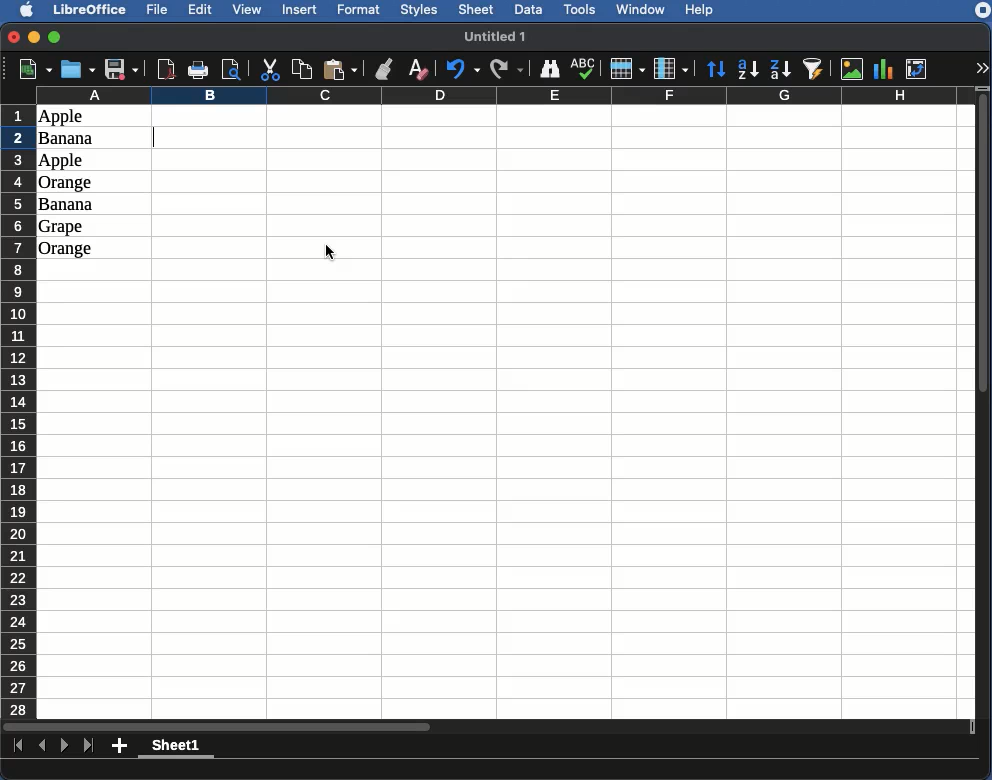 This screenshot has width=992, height=780. Describe the element at coordinates (90, 746) in the screenshot. I see `Last sheet` at that location.